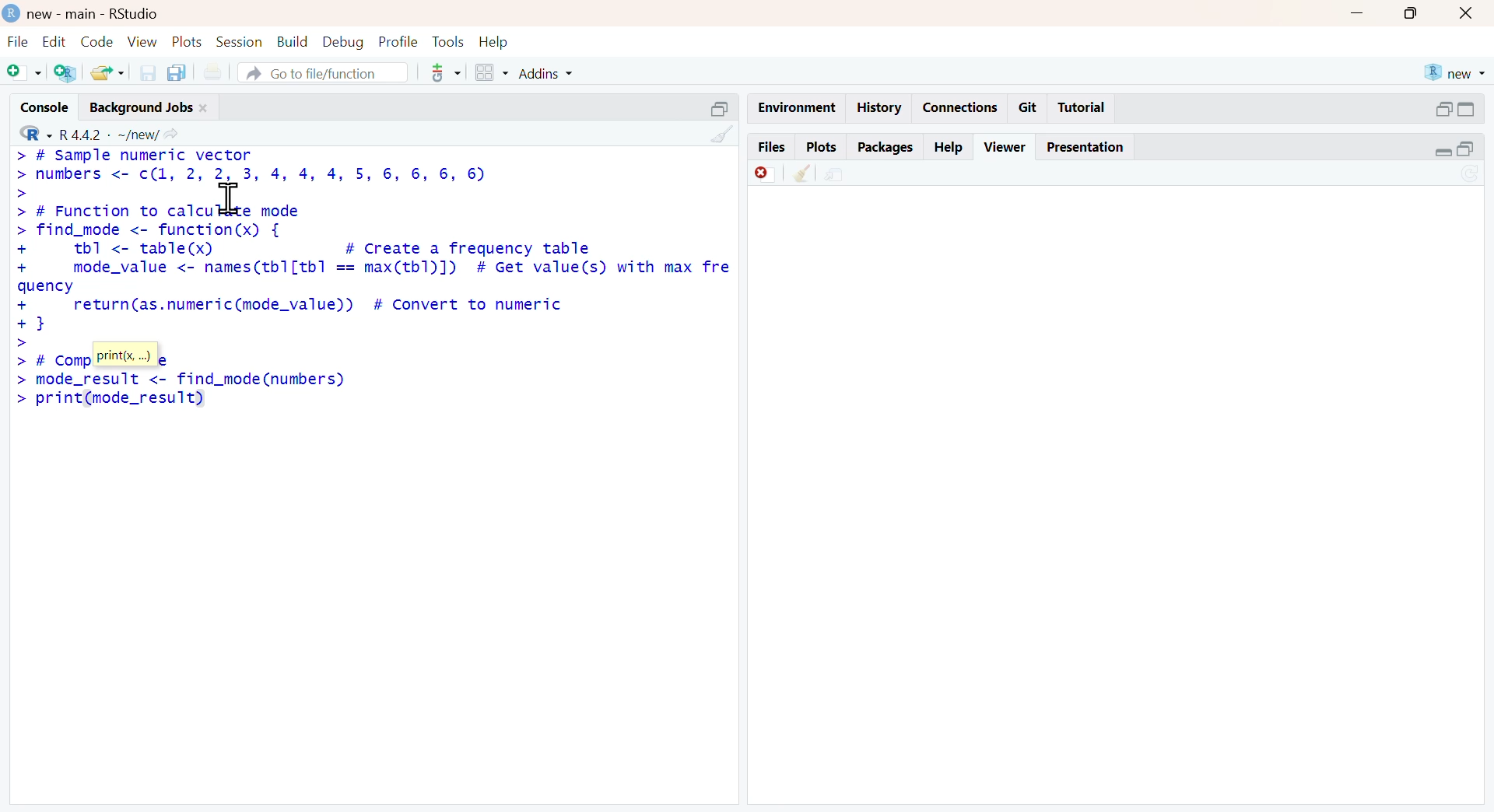 This screenshot has height=812, width=1494. Describe the element at coordinates (1029, 107) in the screenshot. I see `git` at that location.